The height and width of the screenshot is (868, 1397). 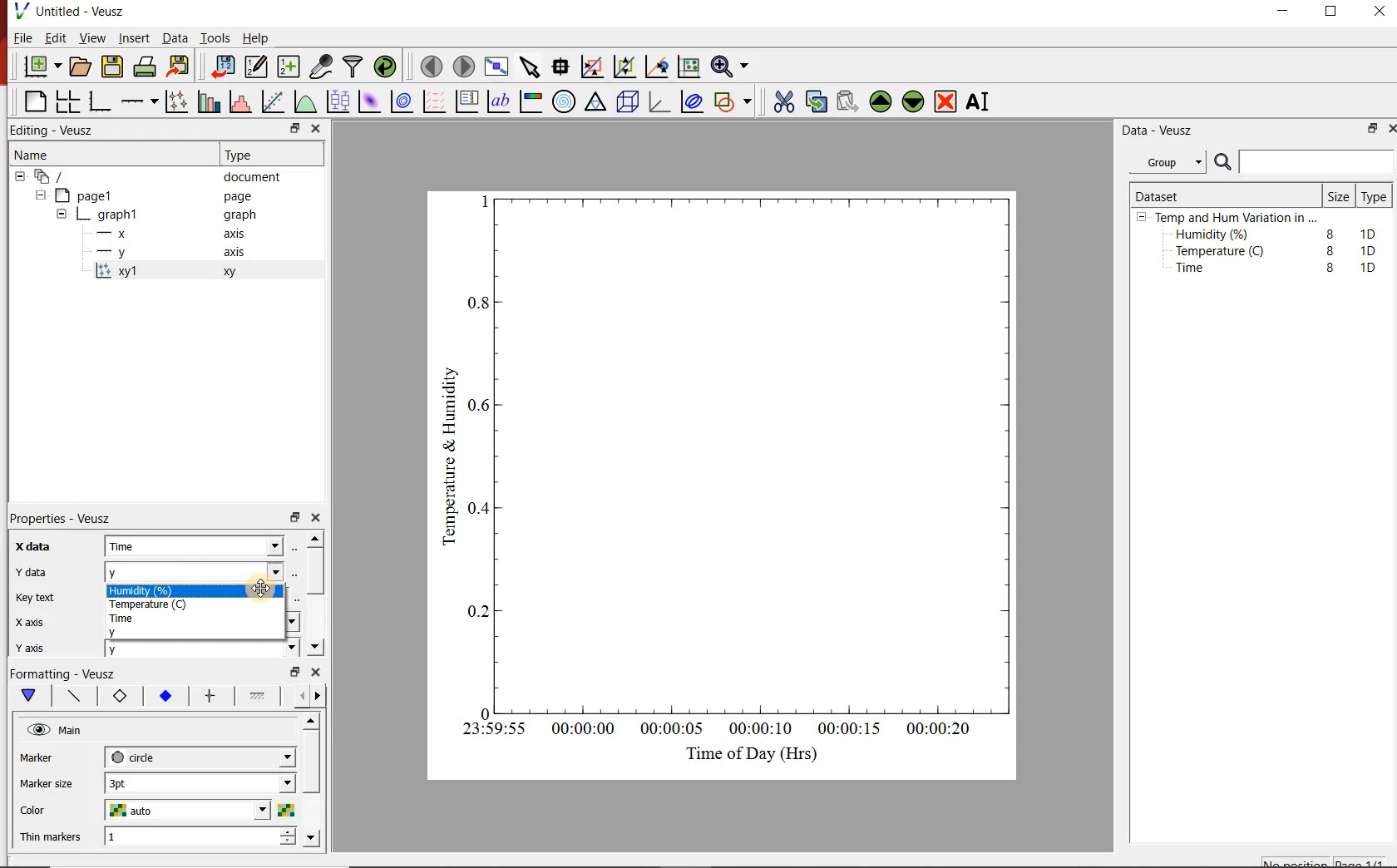 What do you see at coordinates (759, 727) in the screenshot?
I see `00:00:10` at bounding box center [759, 727].